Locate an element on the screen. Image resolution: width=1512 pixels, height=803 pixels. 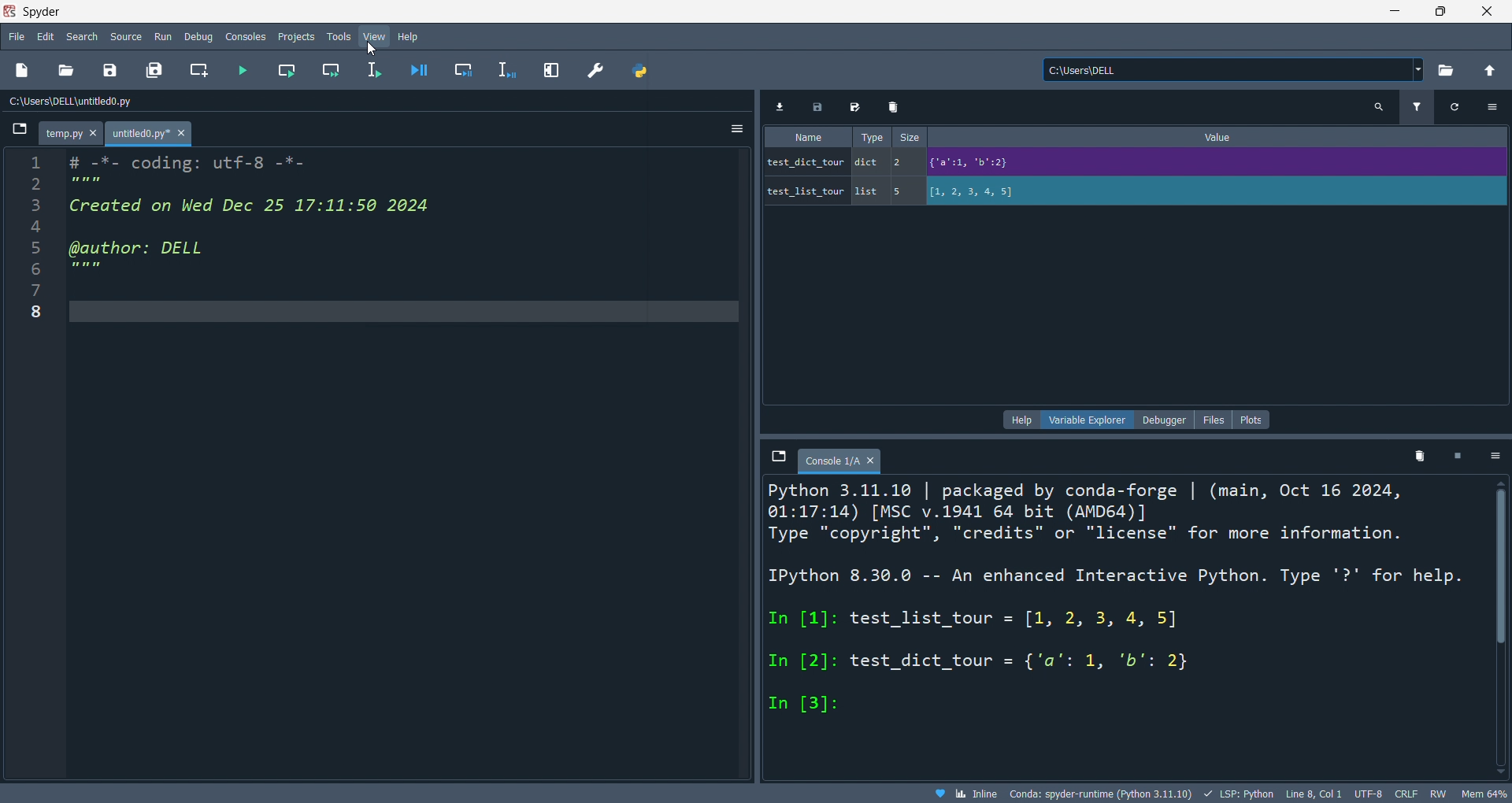
crlf is located at coordinates (1404, 794).